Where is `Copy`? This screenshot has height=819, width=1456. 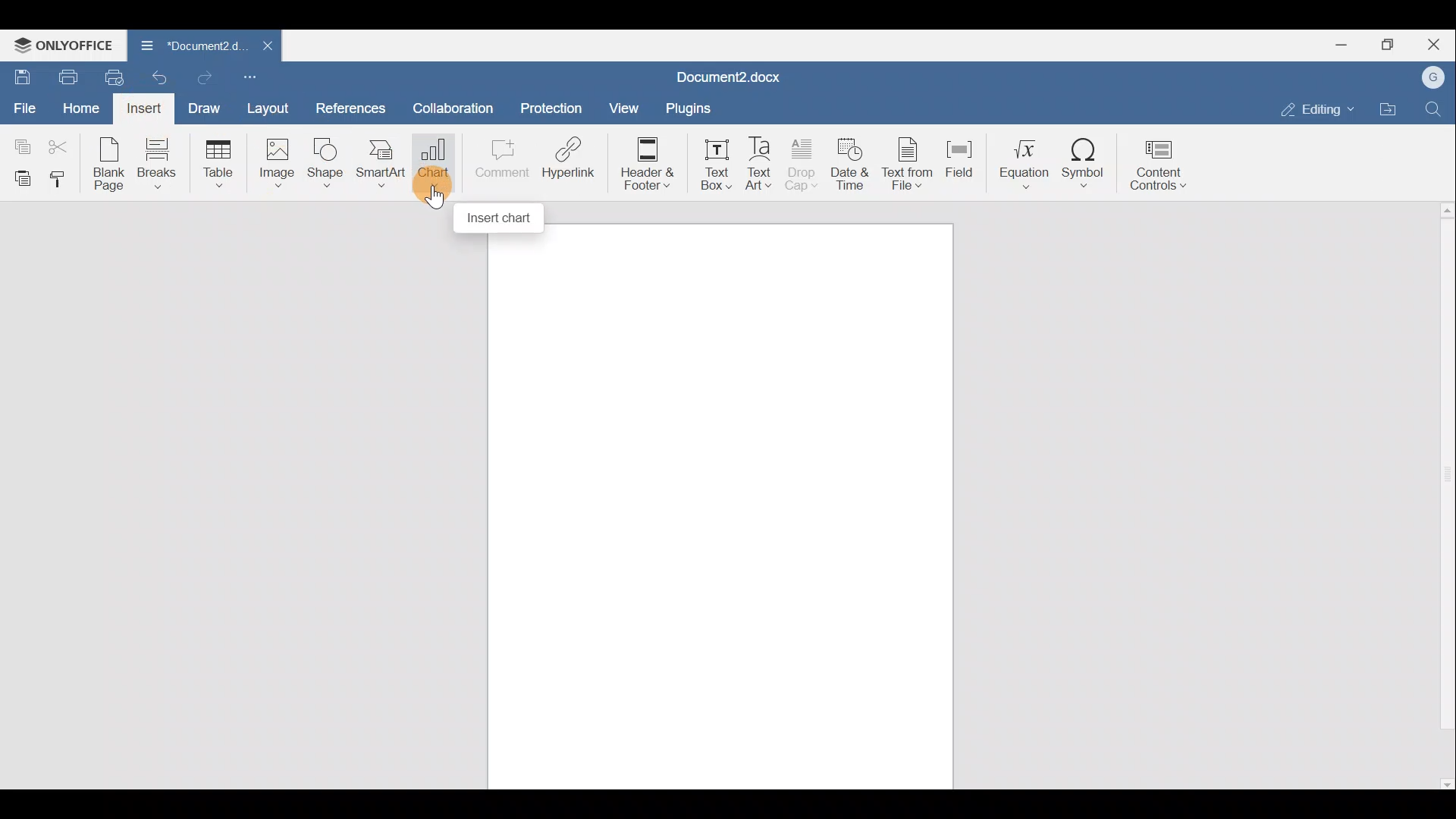 Copy is located at coordinates (19, 144).